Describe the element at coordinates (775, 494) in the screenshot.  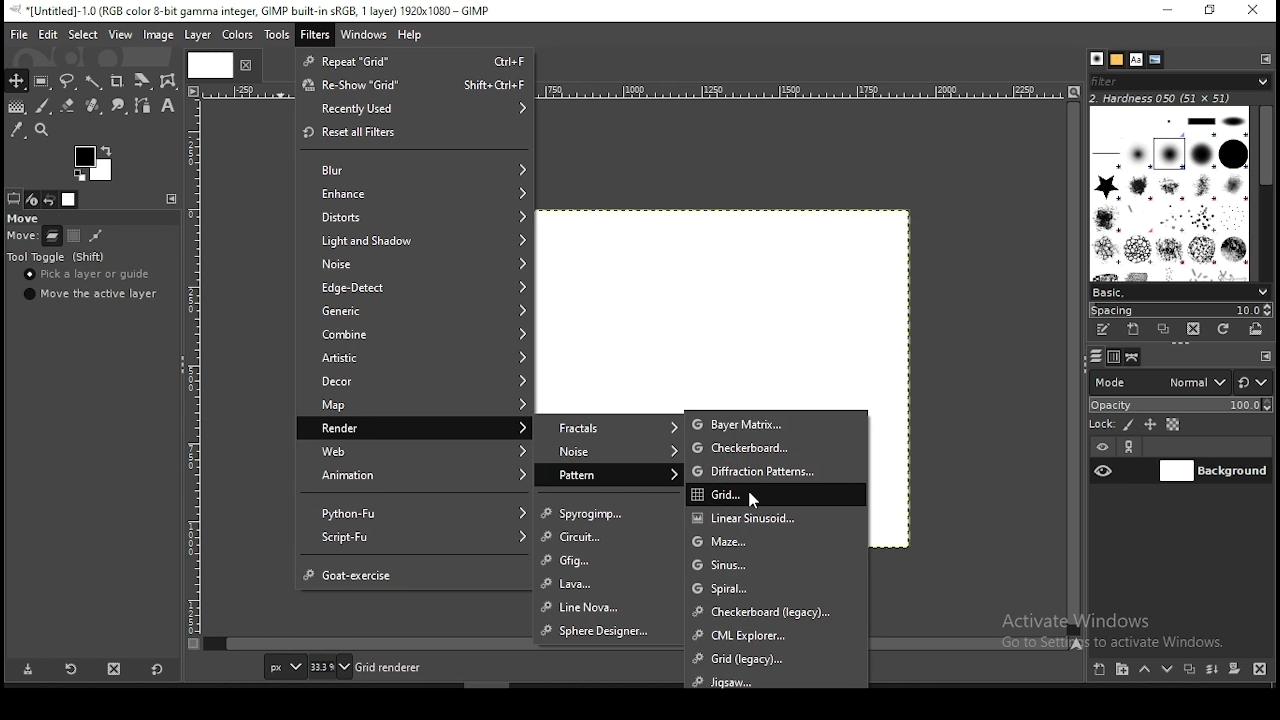
I see `grid` at that location.